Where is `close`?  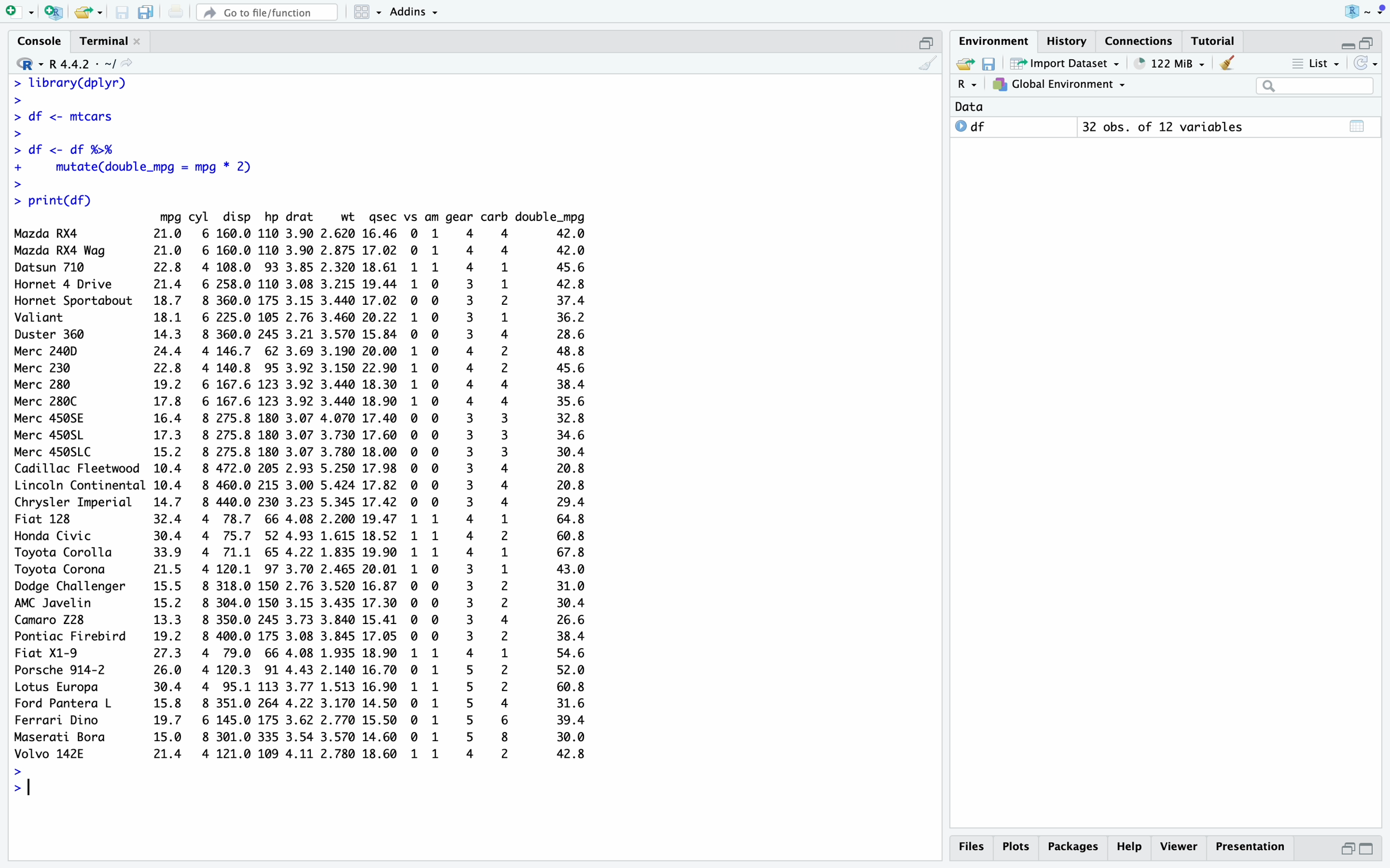
close is located at coordinates (137, 41).